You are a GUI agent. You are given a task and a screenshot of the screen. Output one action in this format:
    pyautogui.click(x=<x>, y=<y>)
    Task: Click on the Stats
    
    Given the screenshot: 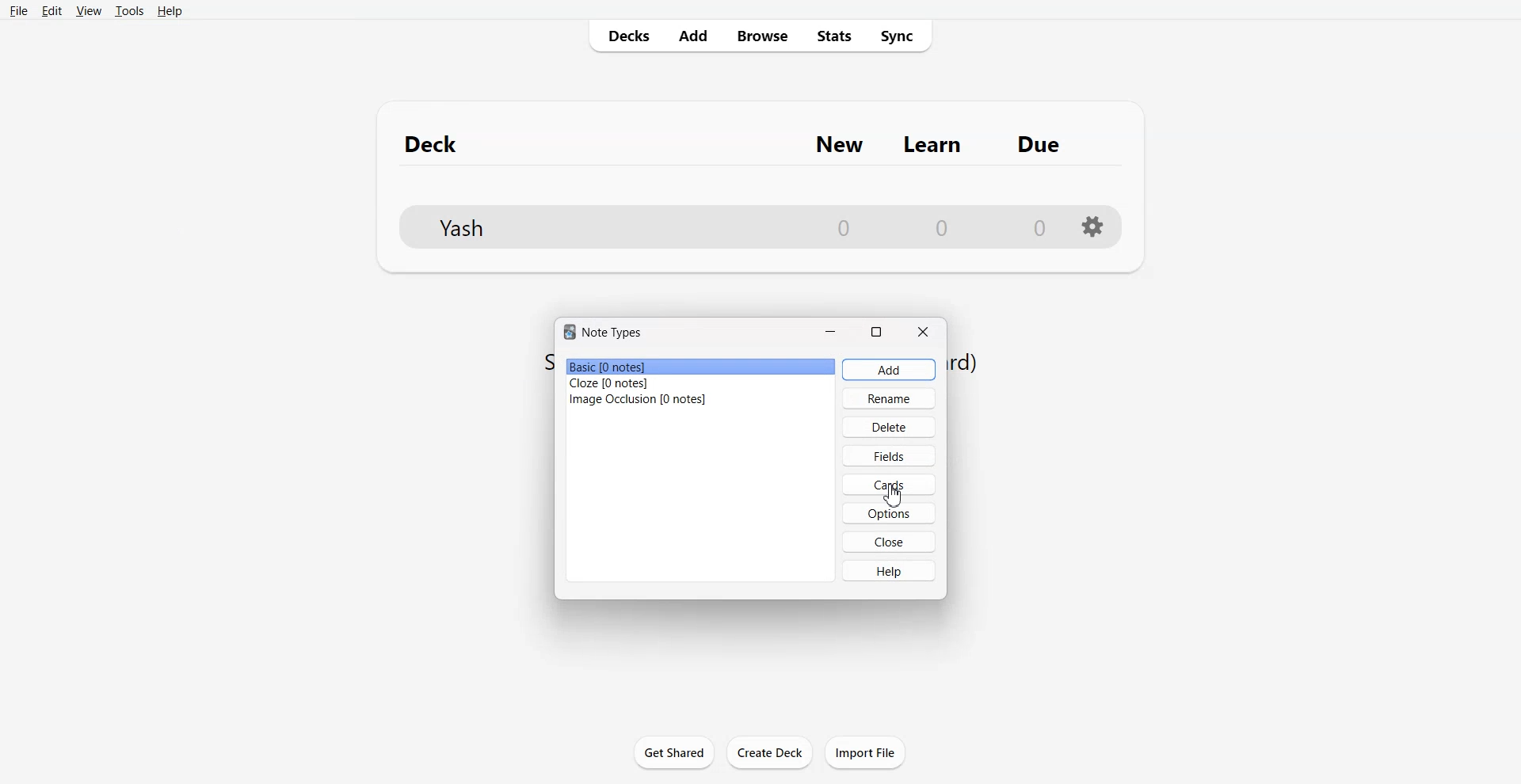 What is the action you would take?
    pyautogui.click(x=832, y=35)
    